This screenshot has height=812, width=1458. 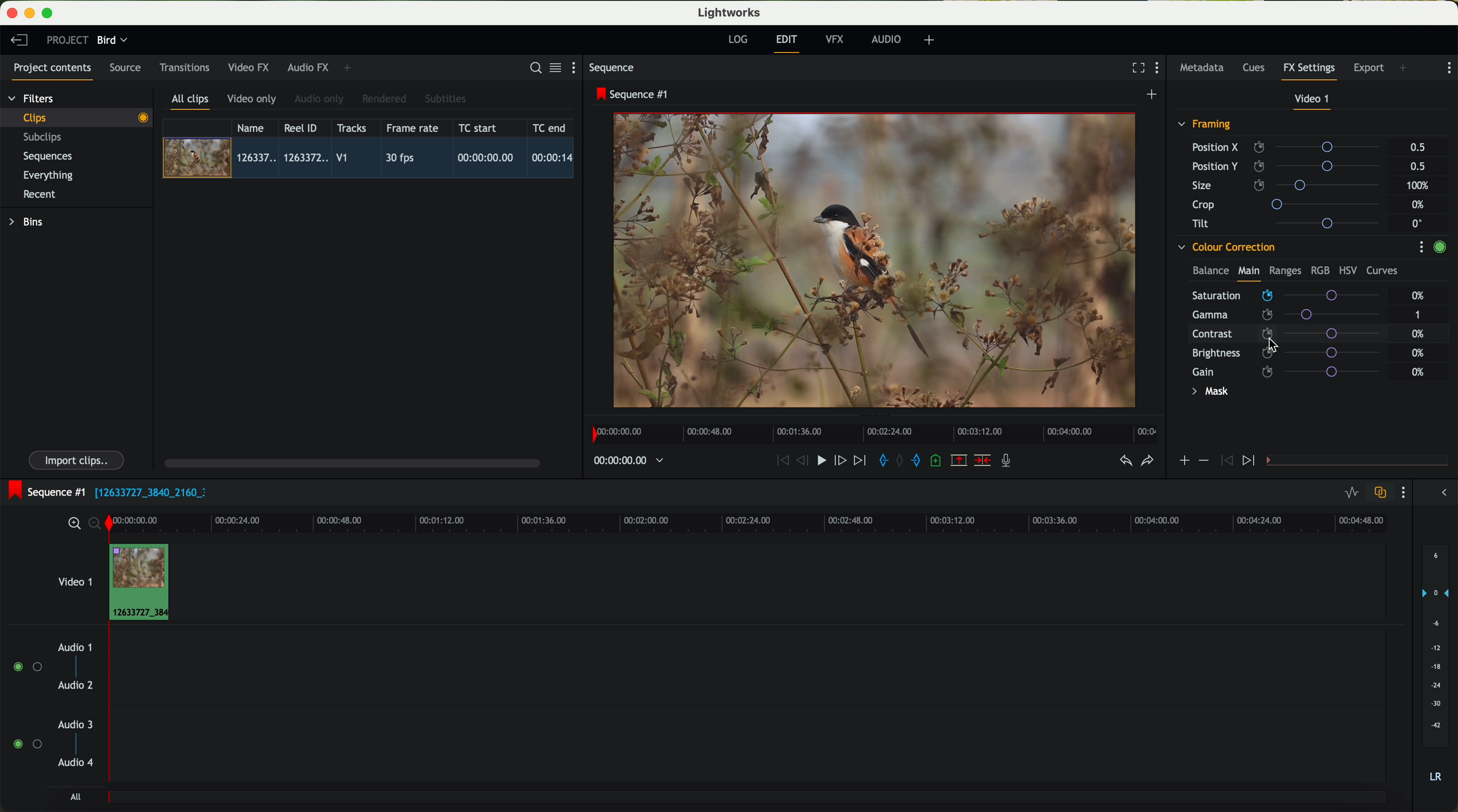 What do you see at coordinates (1436, 667) in the screenshot?
I see `audio output level (d/B)` at bounding box center [1436, 667].